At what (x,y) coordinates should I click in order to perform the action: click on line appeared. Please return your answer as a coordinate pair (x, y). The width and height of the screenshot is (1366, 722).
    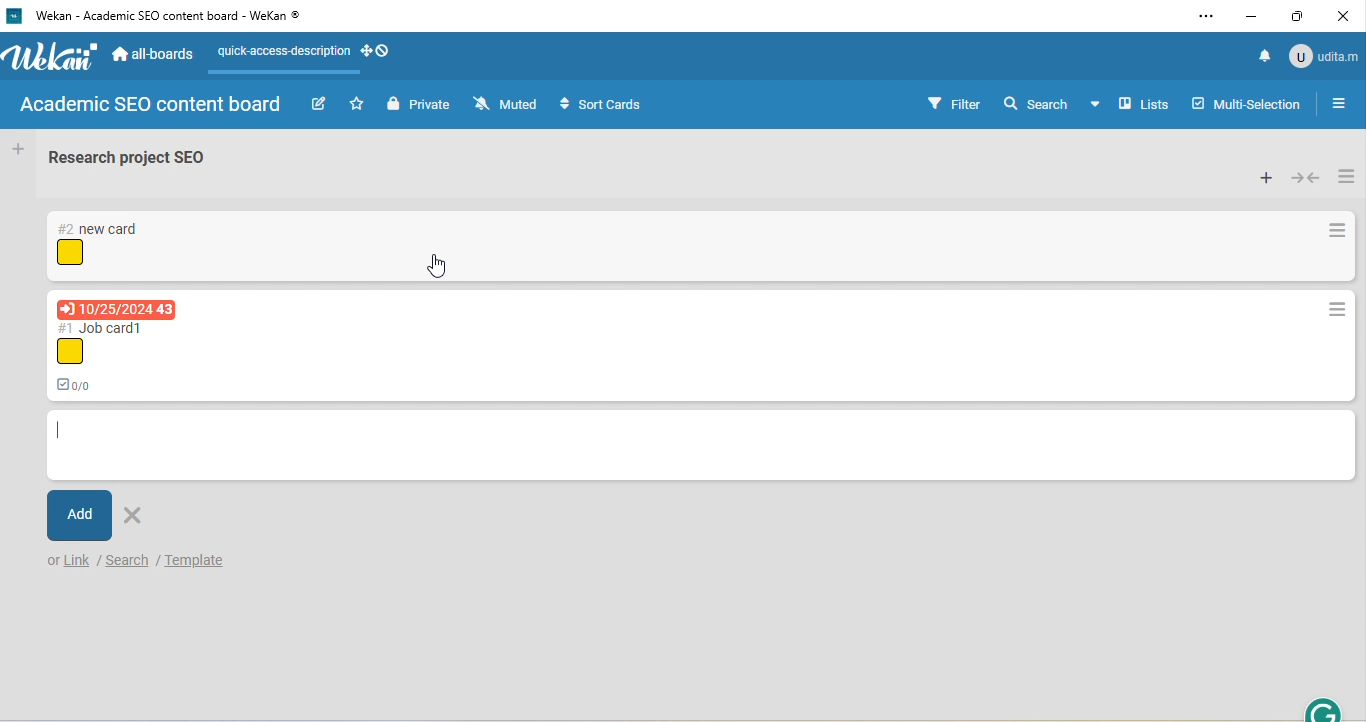
    Looking at the image, I should click on (295, 73).